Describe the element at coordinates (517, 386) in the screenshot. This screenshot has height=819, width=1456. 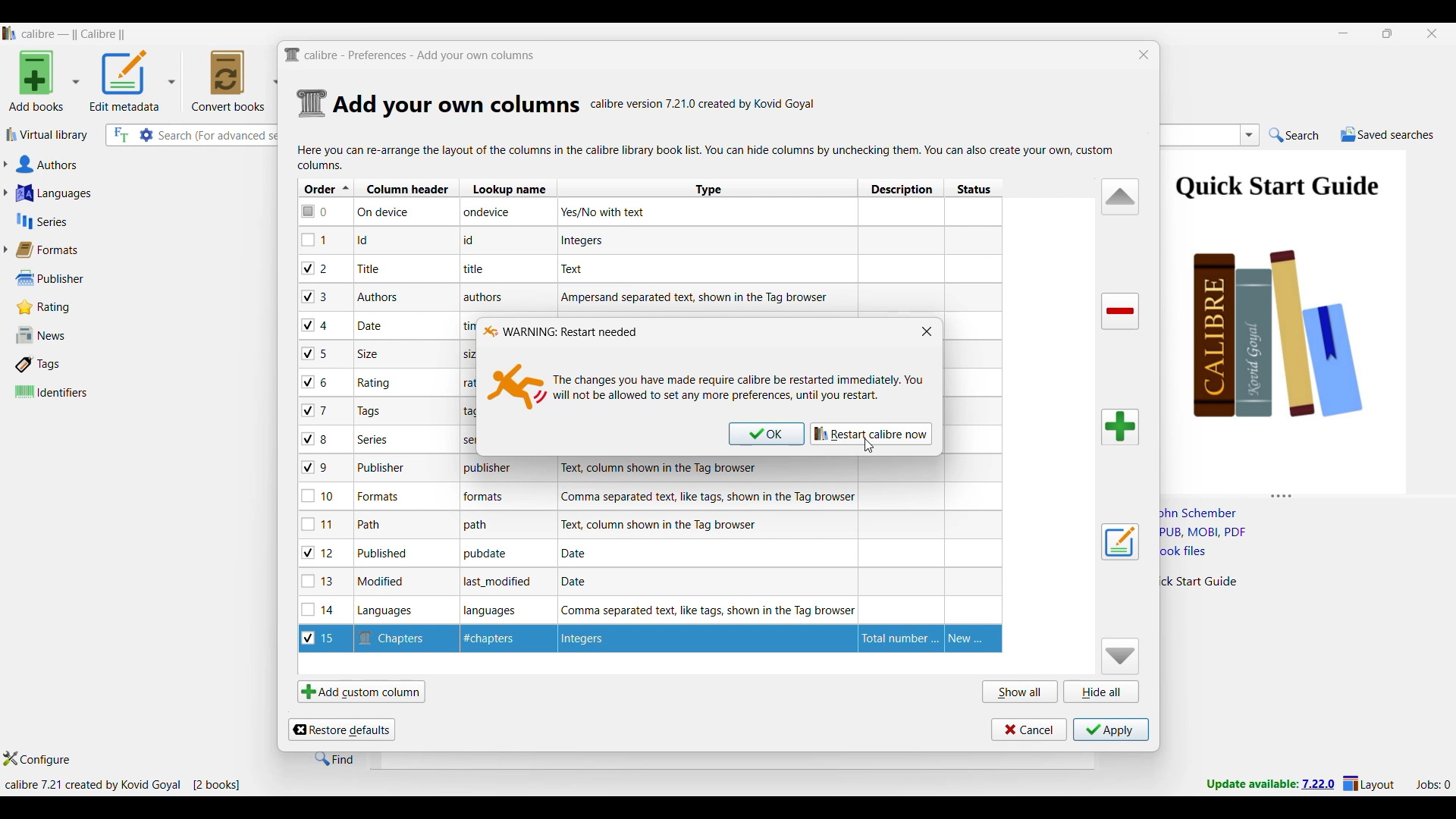
I see `Icon representing message displayed` at that location.